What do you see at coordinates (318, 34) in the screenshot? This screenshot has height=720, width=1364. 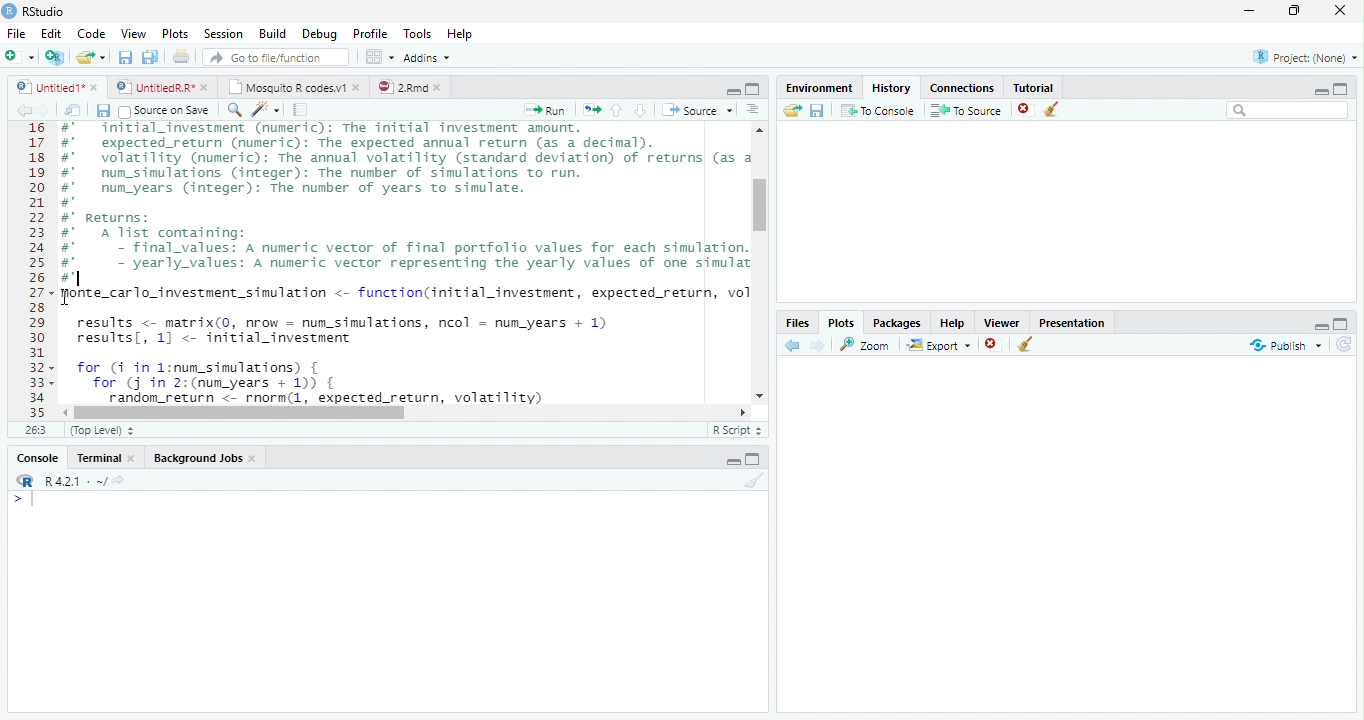 I see `Debug` at bounding box center [318, 34].